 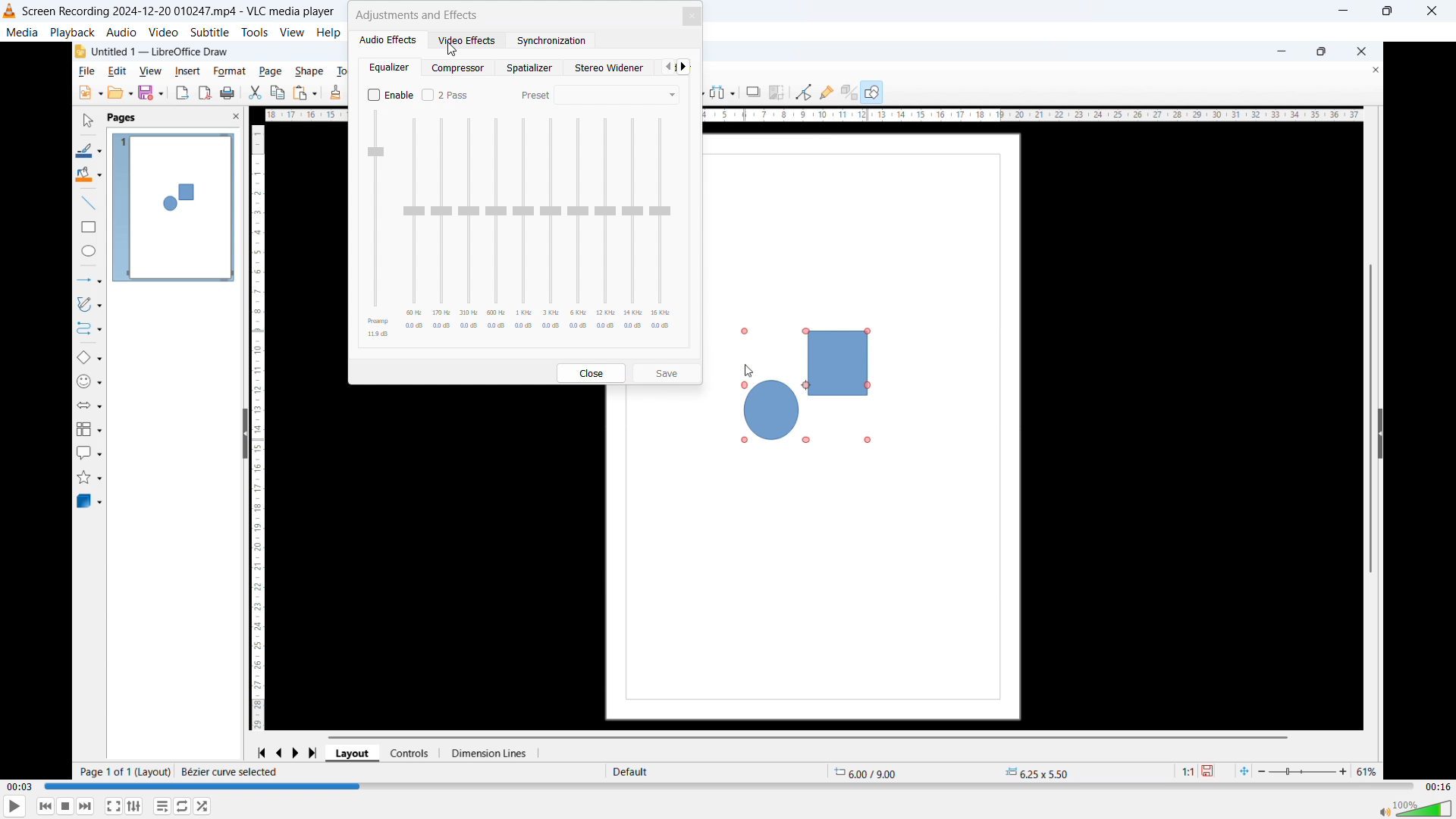 What do you see at coordinates (85, 807) in the screenshot?
I see `forward or next media ` at bounding box center [85, 807].